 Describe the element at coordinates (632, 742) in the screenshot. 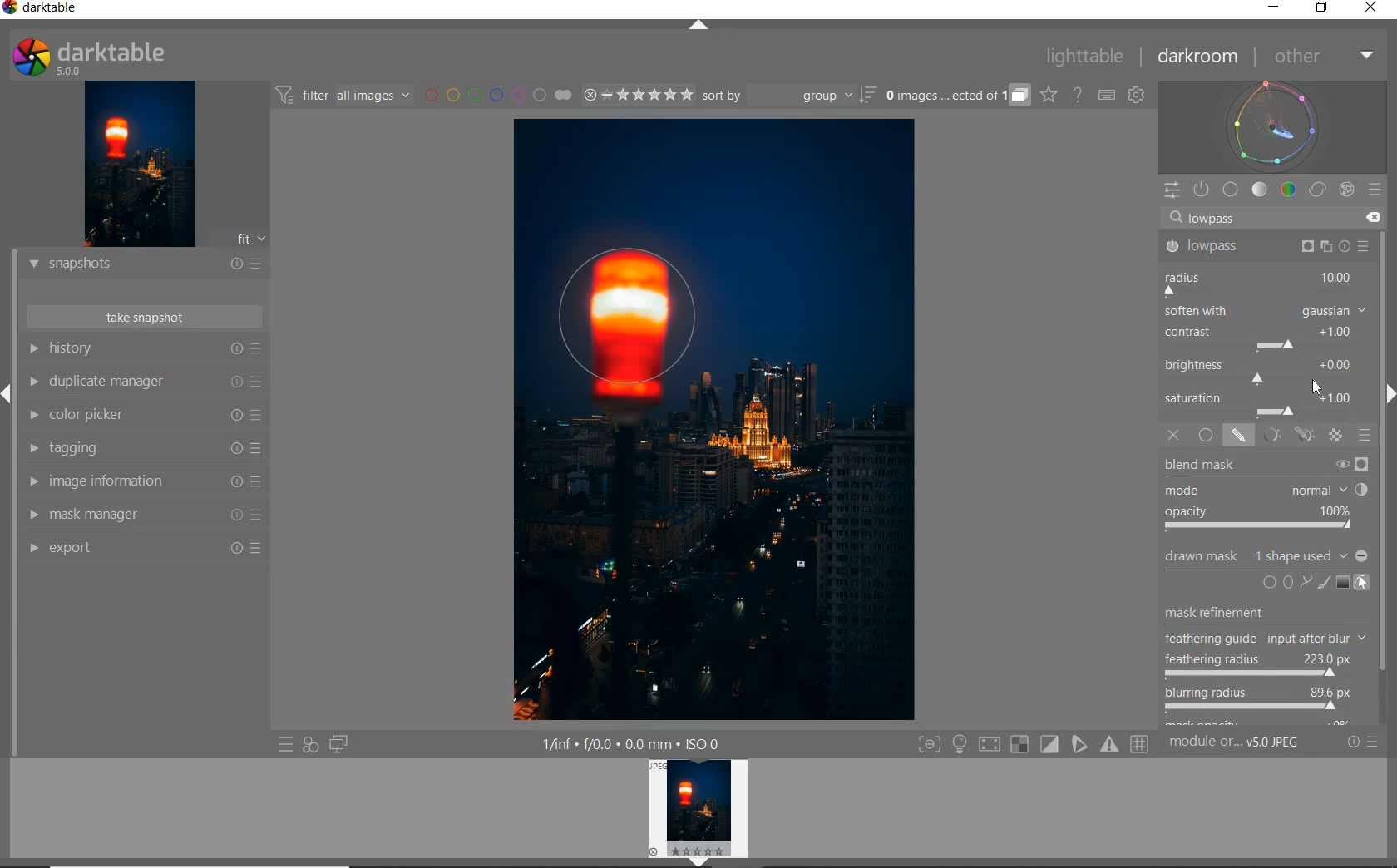

I see `DISPLAYED GUI INFO` at that location.